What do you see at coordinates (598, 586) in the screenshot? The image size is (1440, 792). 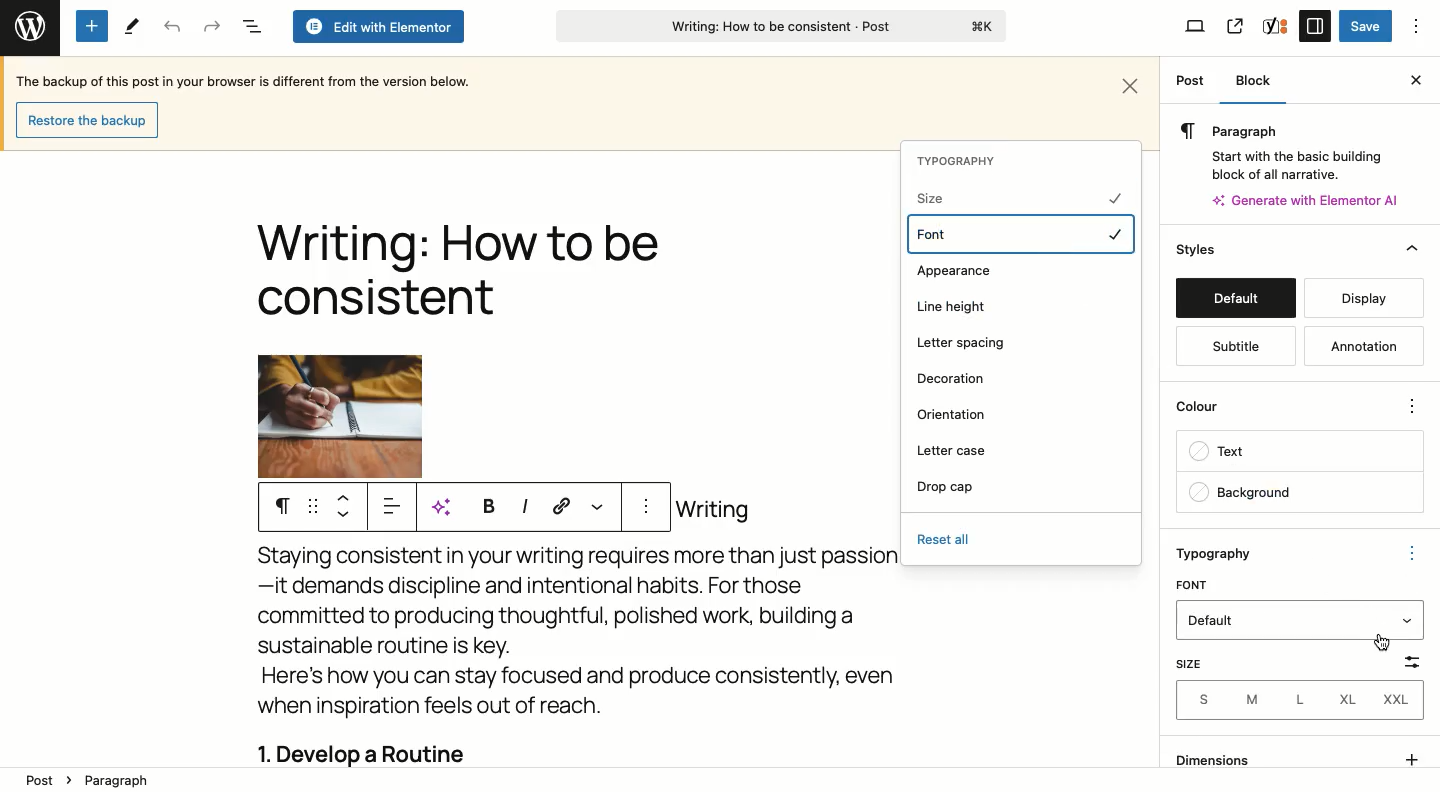 I see `typing` at bounding box center [598, 586].